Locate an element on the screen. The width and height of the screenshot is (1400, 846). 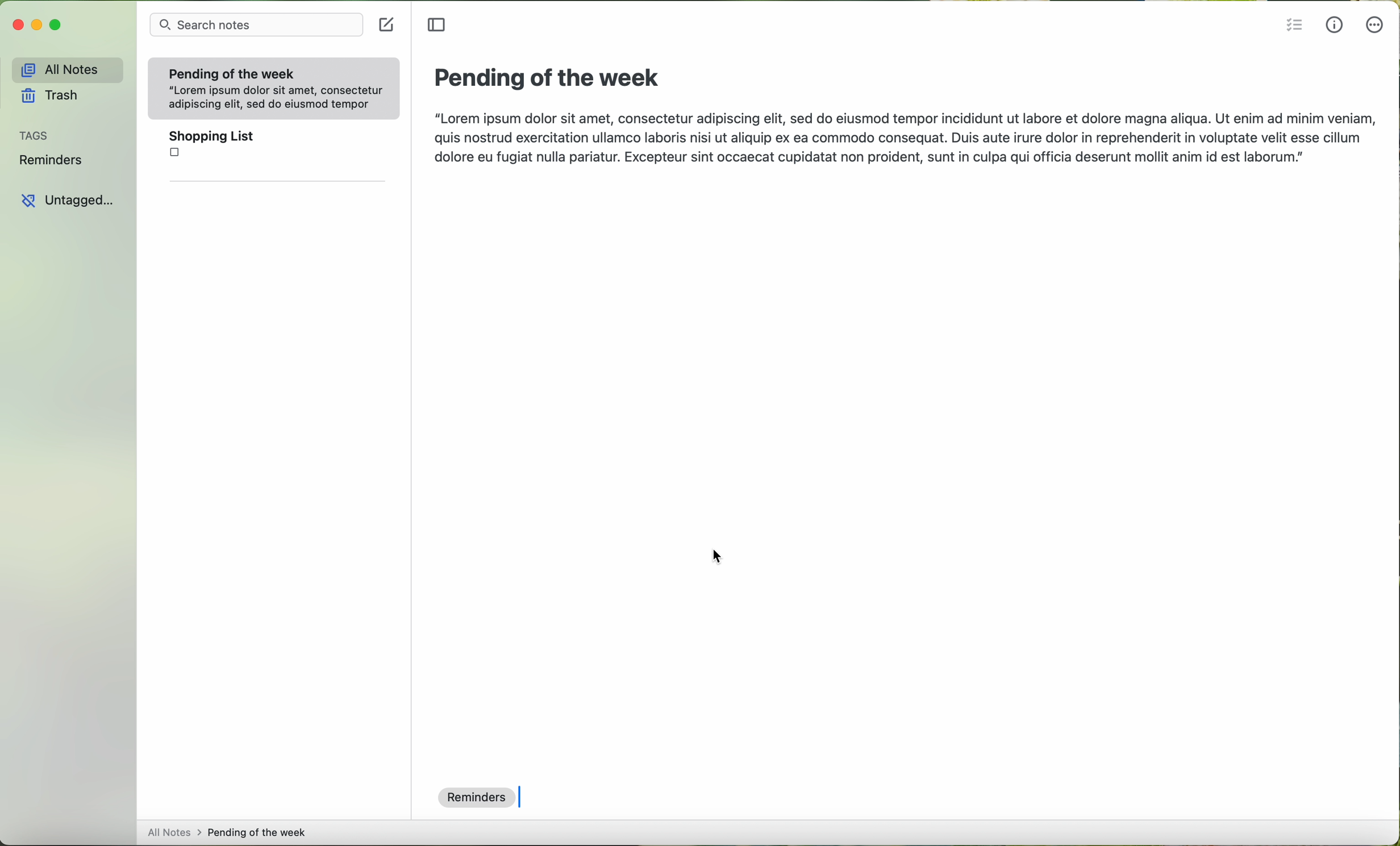
cursor is located at coordinates (716, 555).